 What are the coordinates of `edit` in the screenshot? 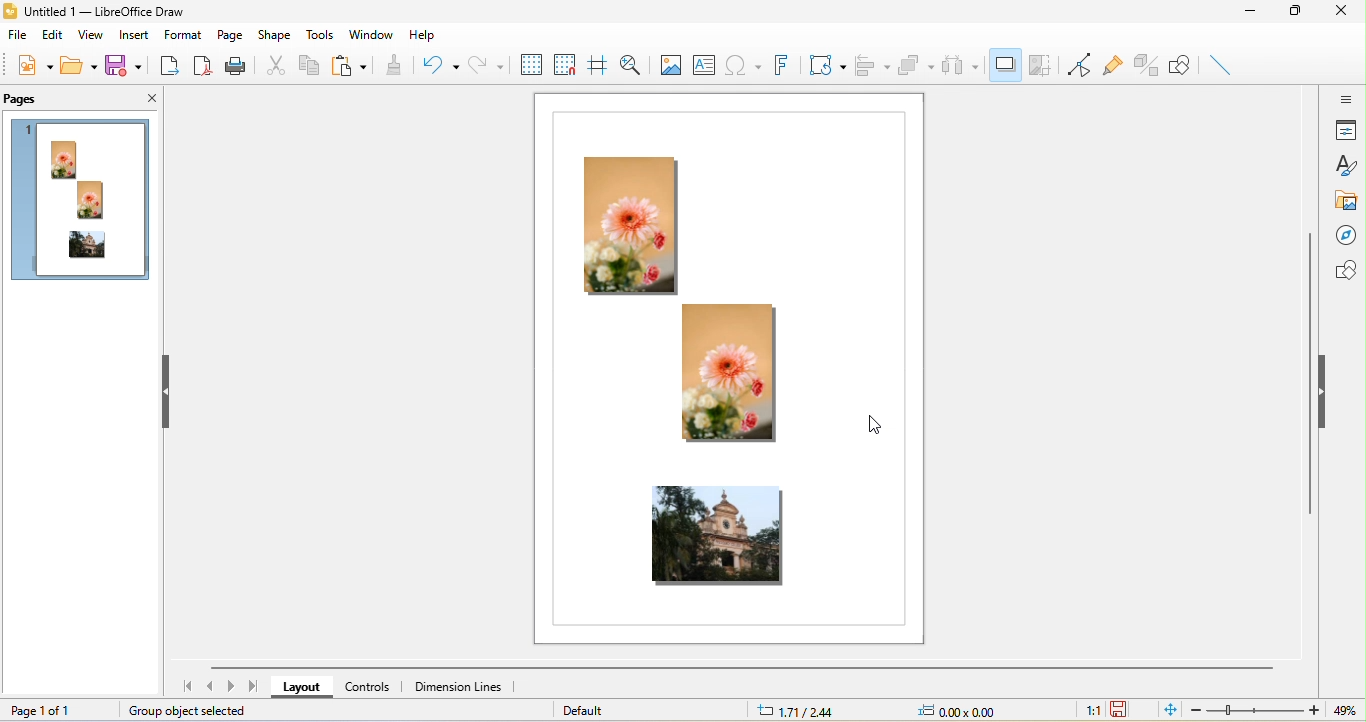 It's located at (53, 38).